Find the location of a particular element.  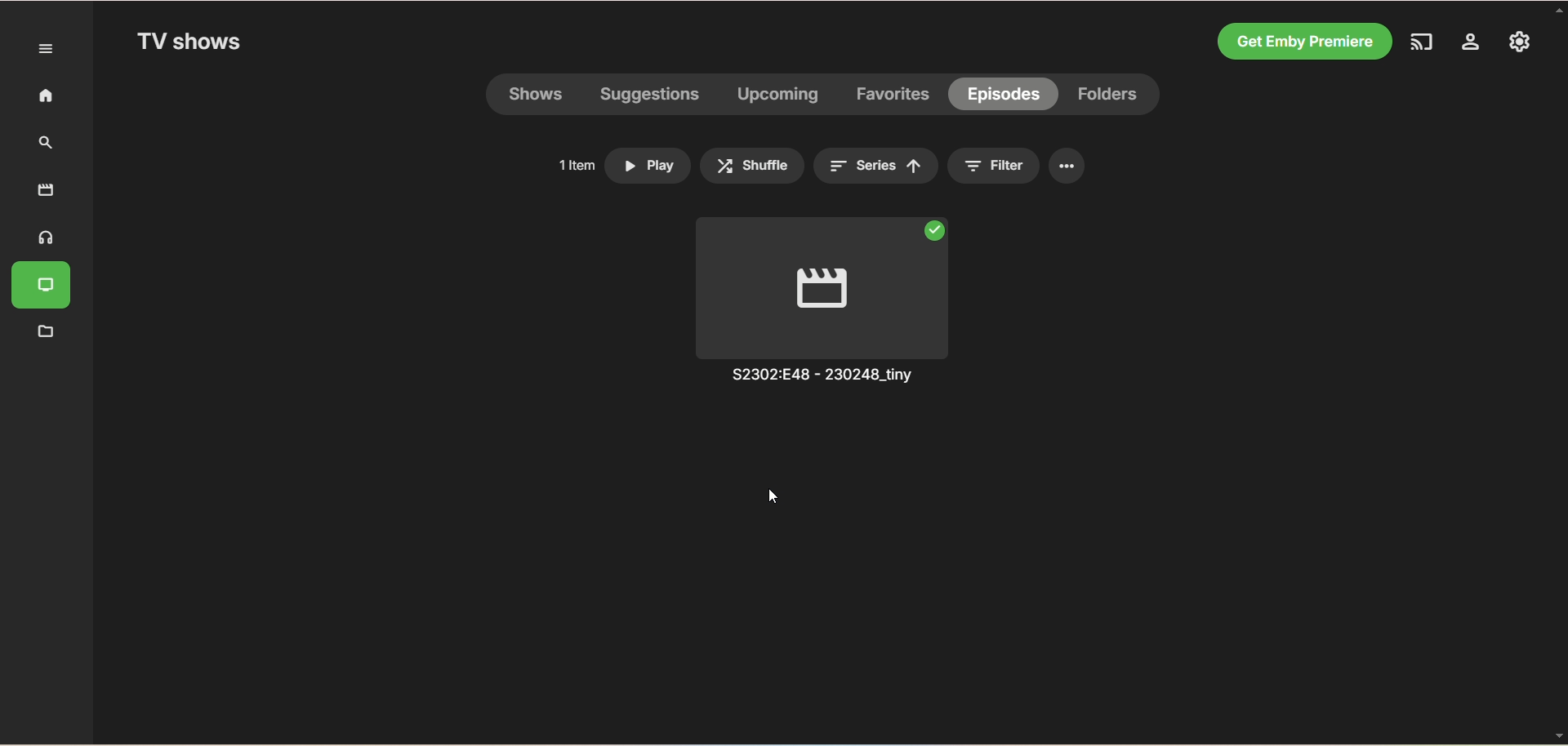

folders is located at coordinates (1111, 95).